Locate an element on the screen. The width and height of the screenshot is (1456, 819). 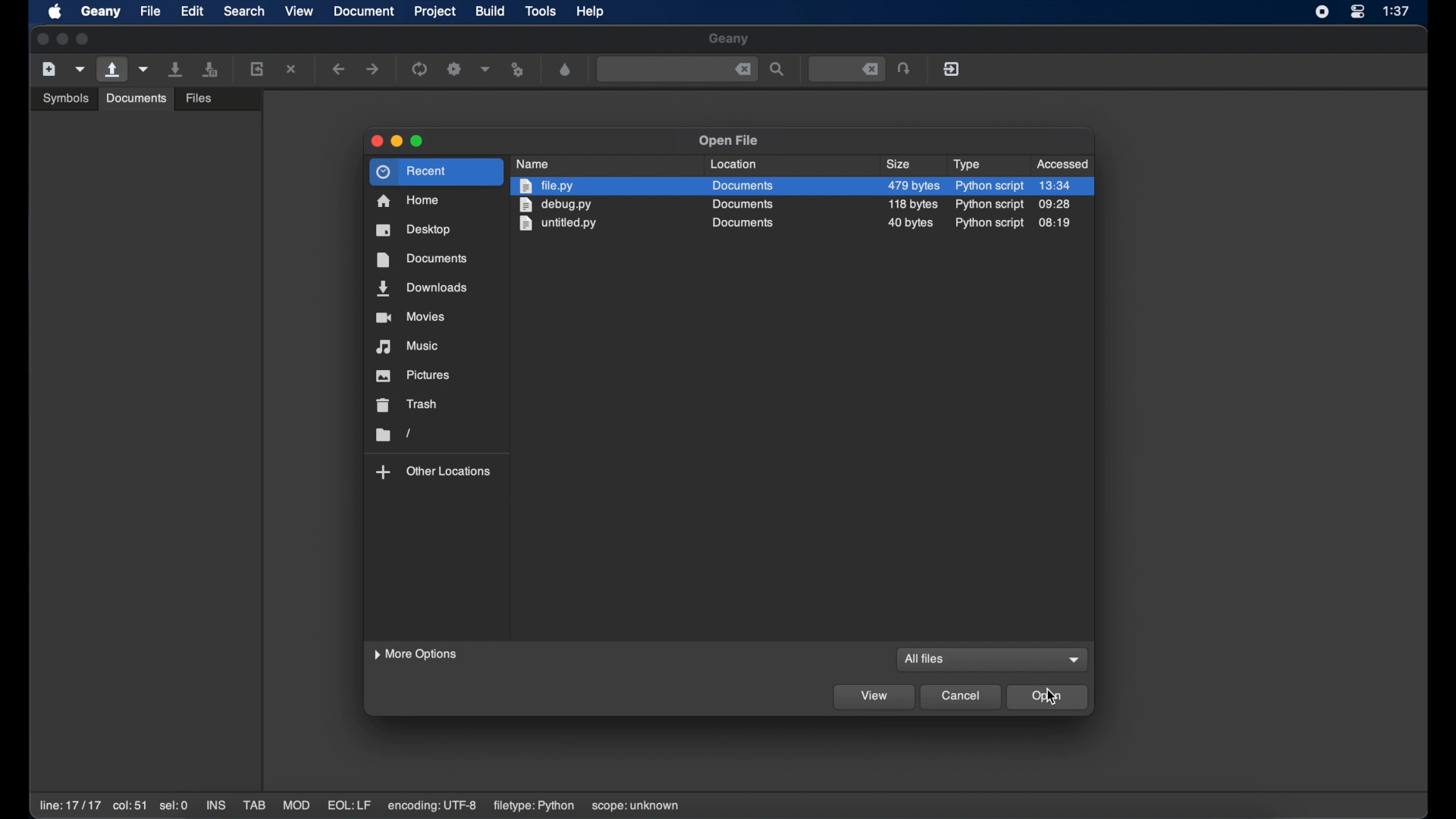
create file from template is located at coordinates (80, 69).